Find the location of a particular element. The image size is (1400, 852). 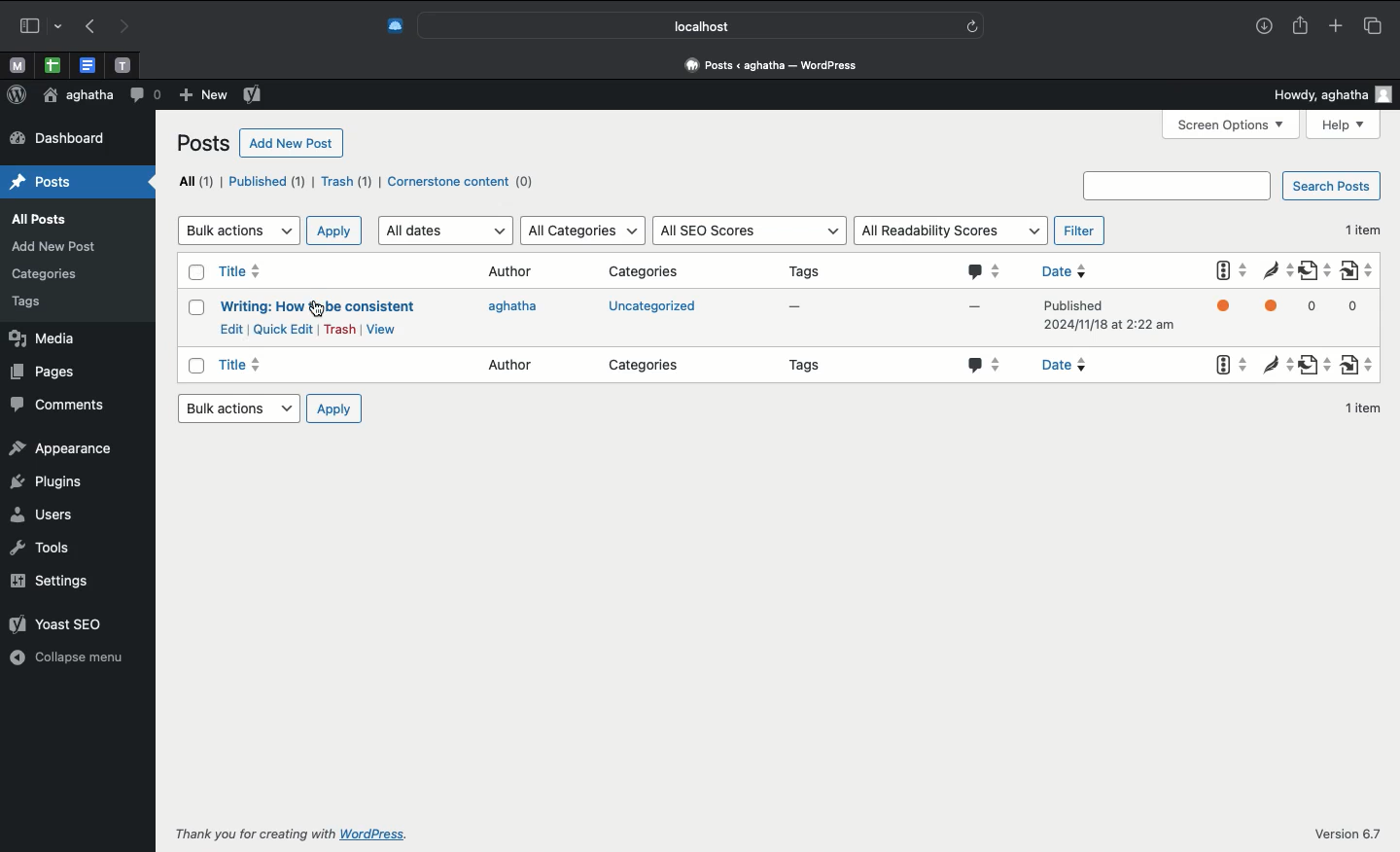

Internal links is located at coordinates (1360, 361).